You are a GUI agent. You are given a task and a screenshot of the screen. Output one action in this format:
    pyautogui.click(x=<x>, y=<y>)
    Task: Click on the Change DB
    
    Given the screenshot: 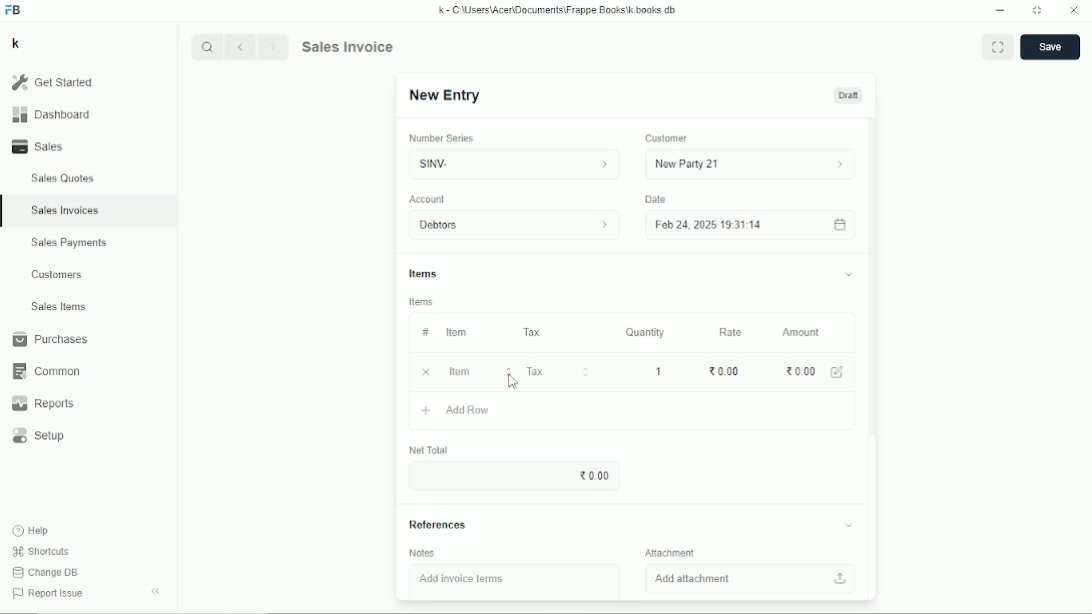 What is the action you would take?
    pyautogui.click(x=45, y=573)
    